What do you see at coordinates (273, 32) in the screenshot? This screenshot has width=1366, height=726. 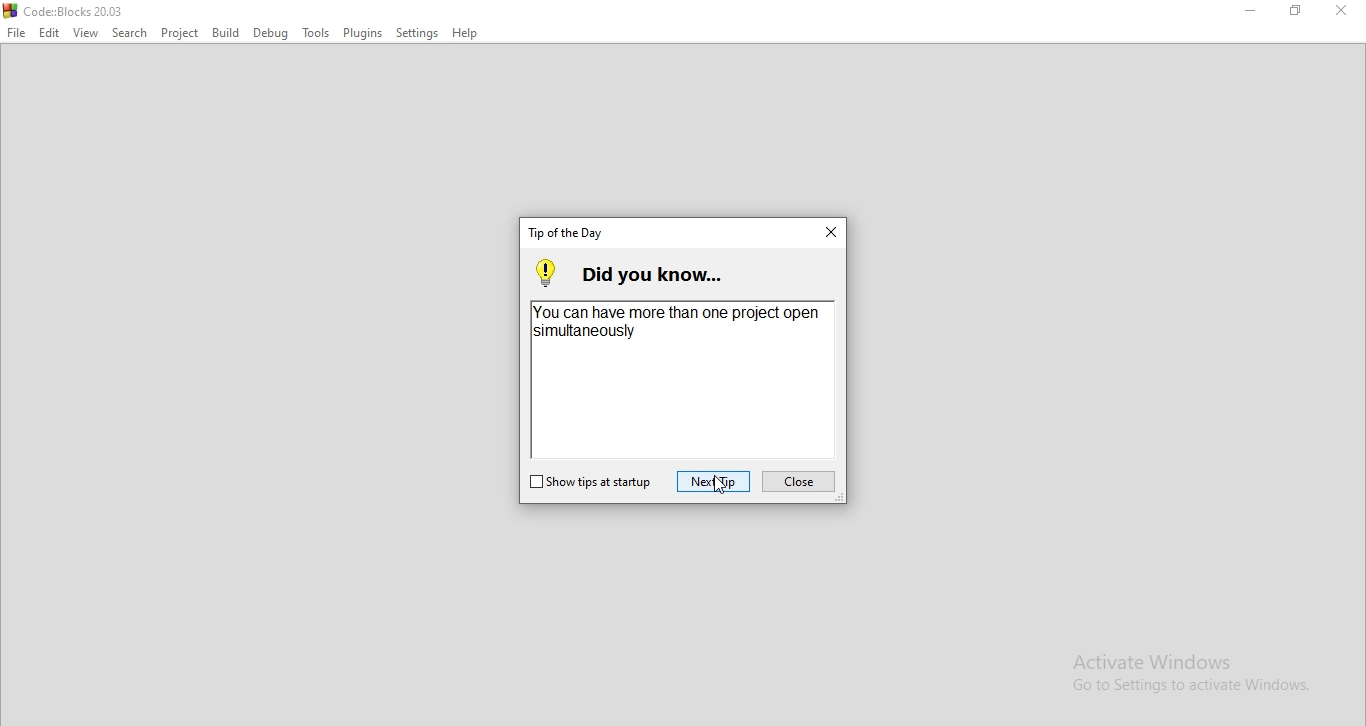 I see `Debug ` at bounding box center [273, 32].